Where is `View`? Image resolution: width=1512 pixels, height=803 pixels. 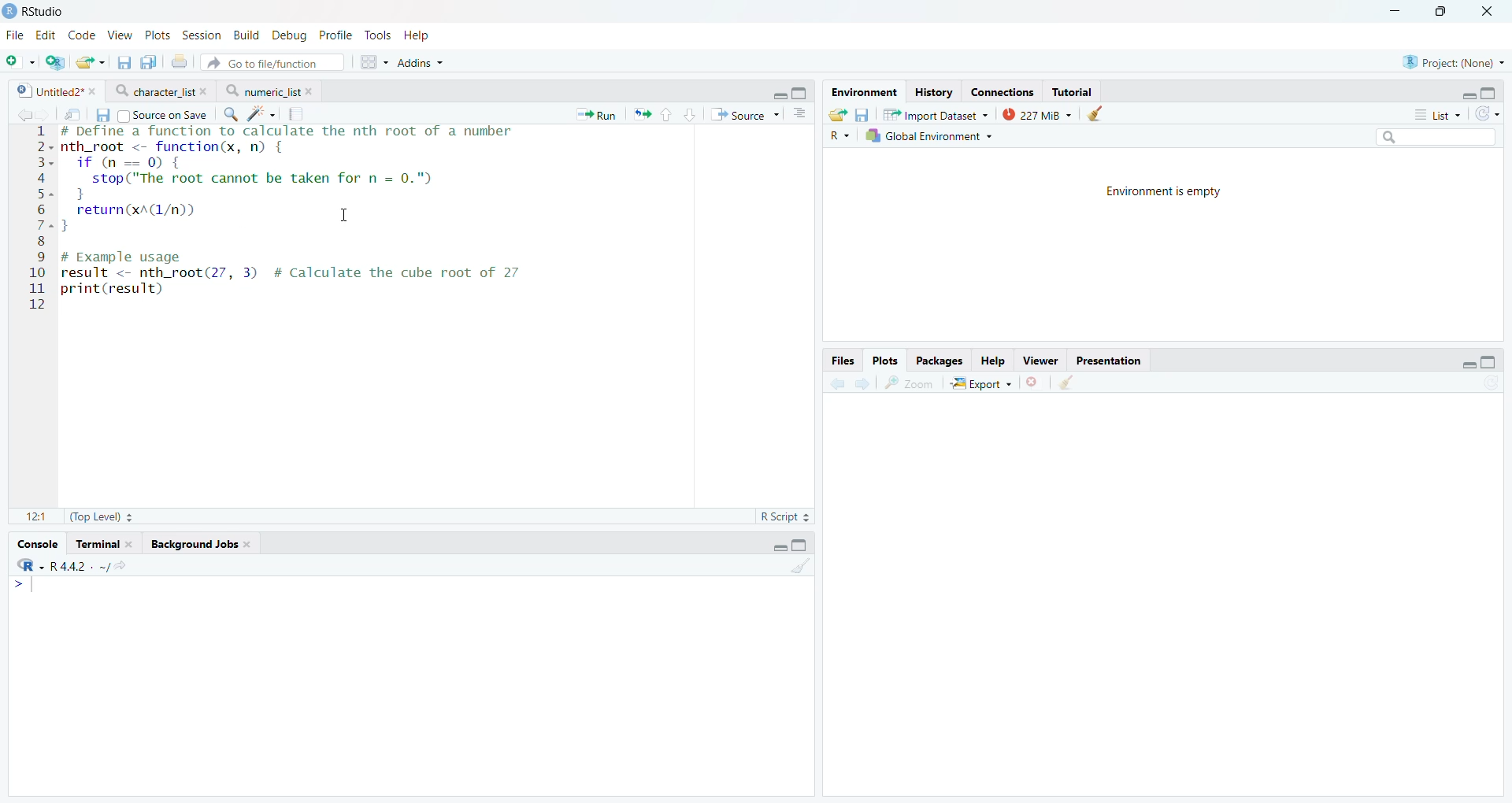 View is located at coordinates (119, 33).